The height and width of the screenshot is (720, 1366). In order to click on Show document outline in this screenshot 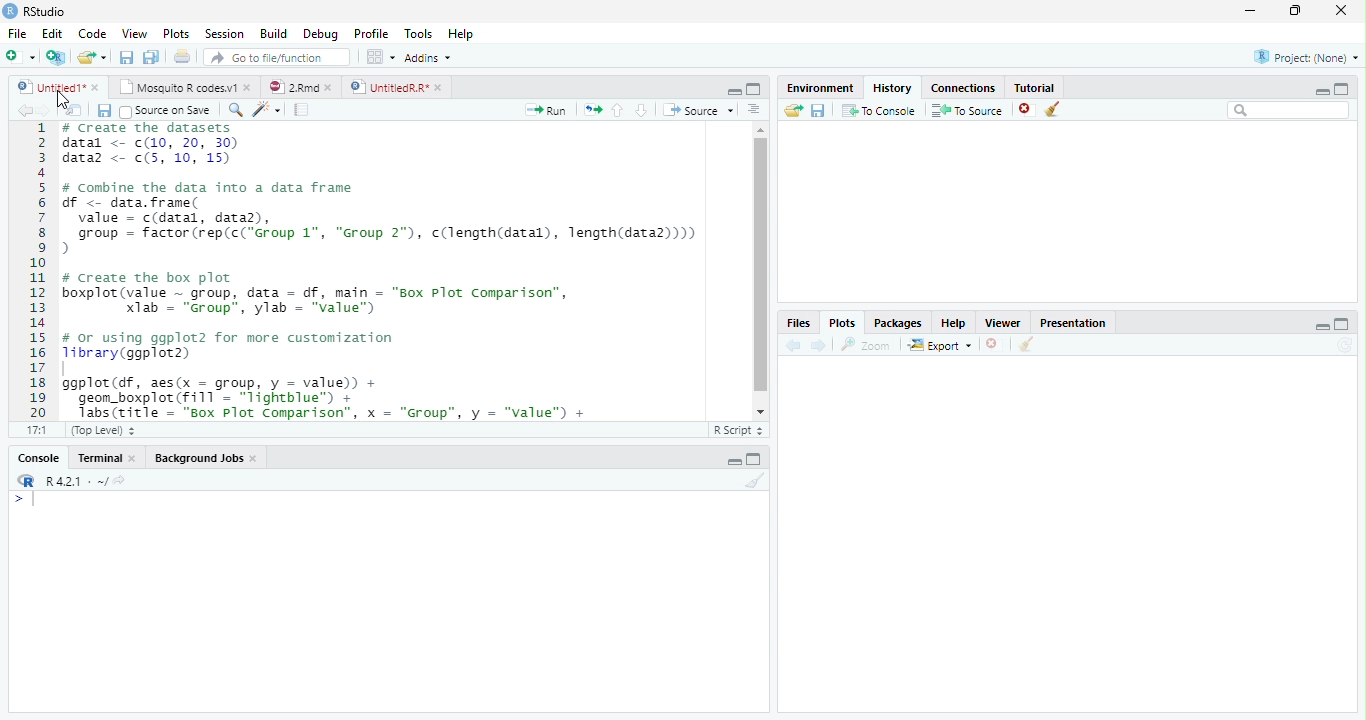, I will do `click(754, 109)`.